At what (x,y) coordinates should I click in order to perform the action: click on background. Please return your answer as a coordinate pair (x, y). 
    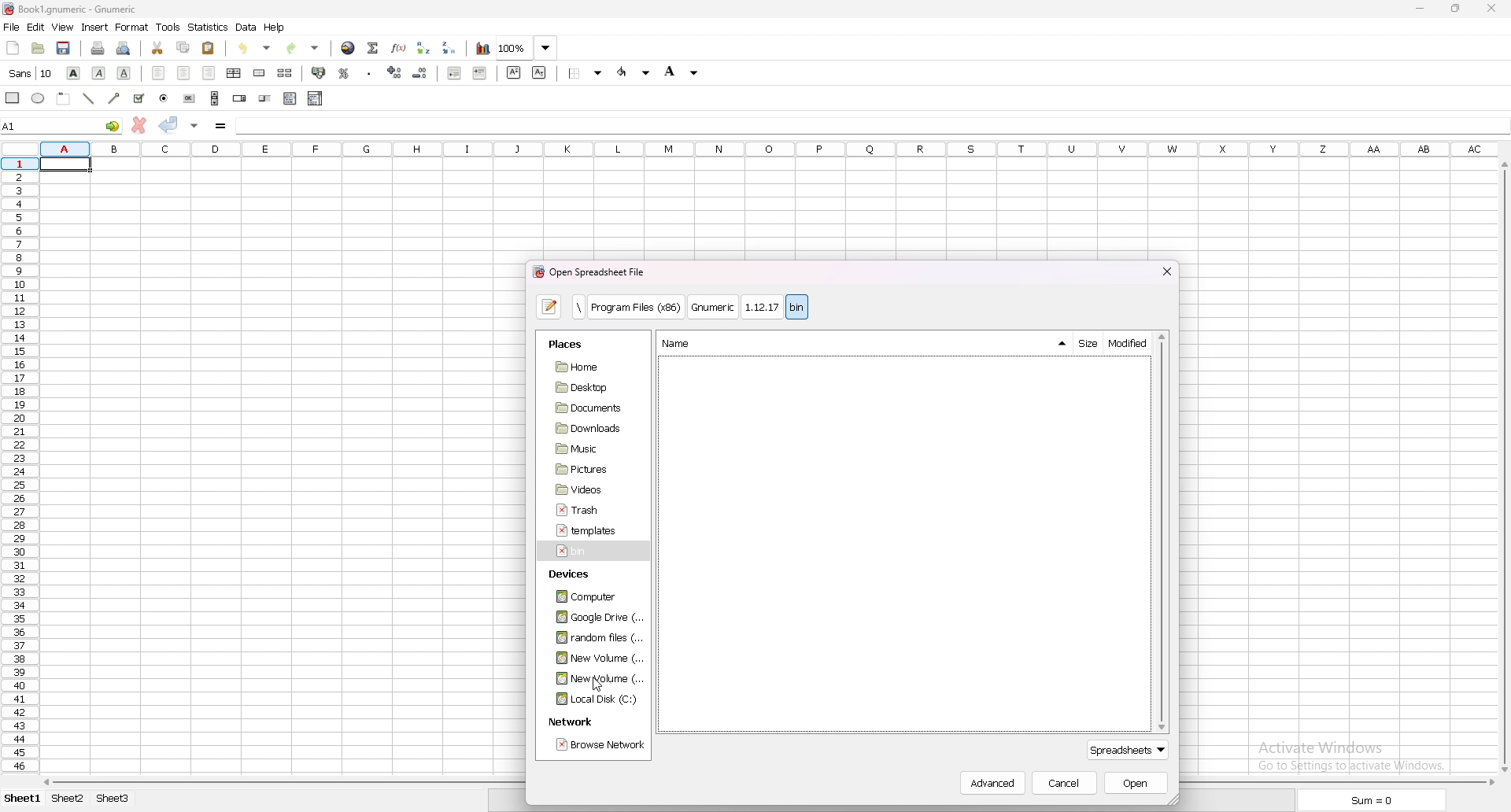
    Looking at the image, I should click on (680, 73).